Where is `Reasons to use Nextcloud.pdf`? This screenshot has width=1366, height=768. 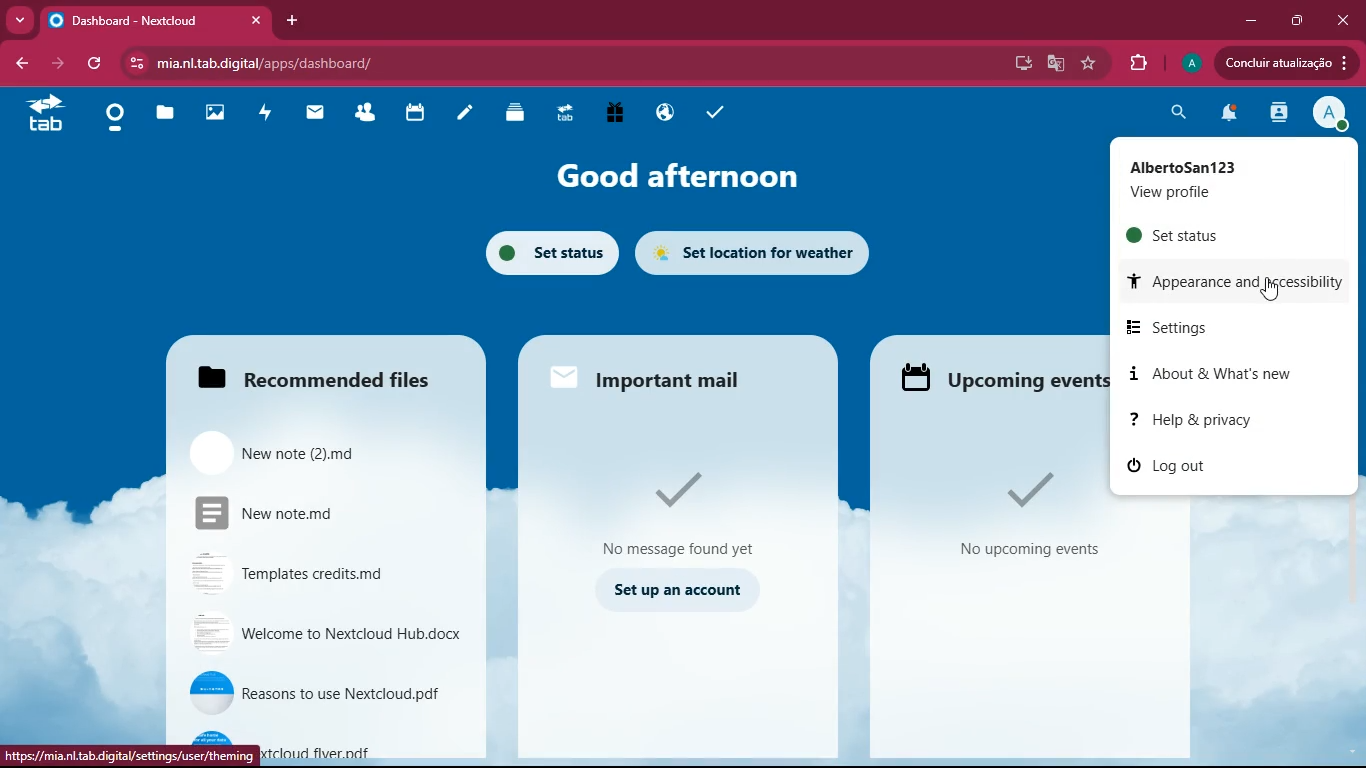
Reasons to use Nextcloud.pdf is located at coordinates (324, 692).